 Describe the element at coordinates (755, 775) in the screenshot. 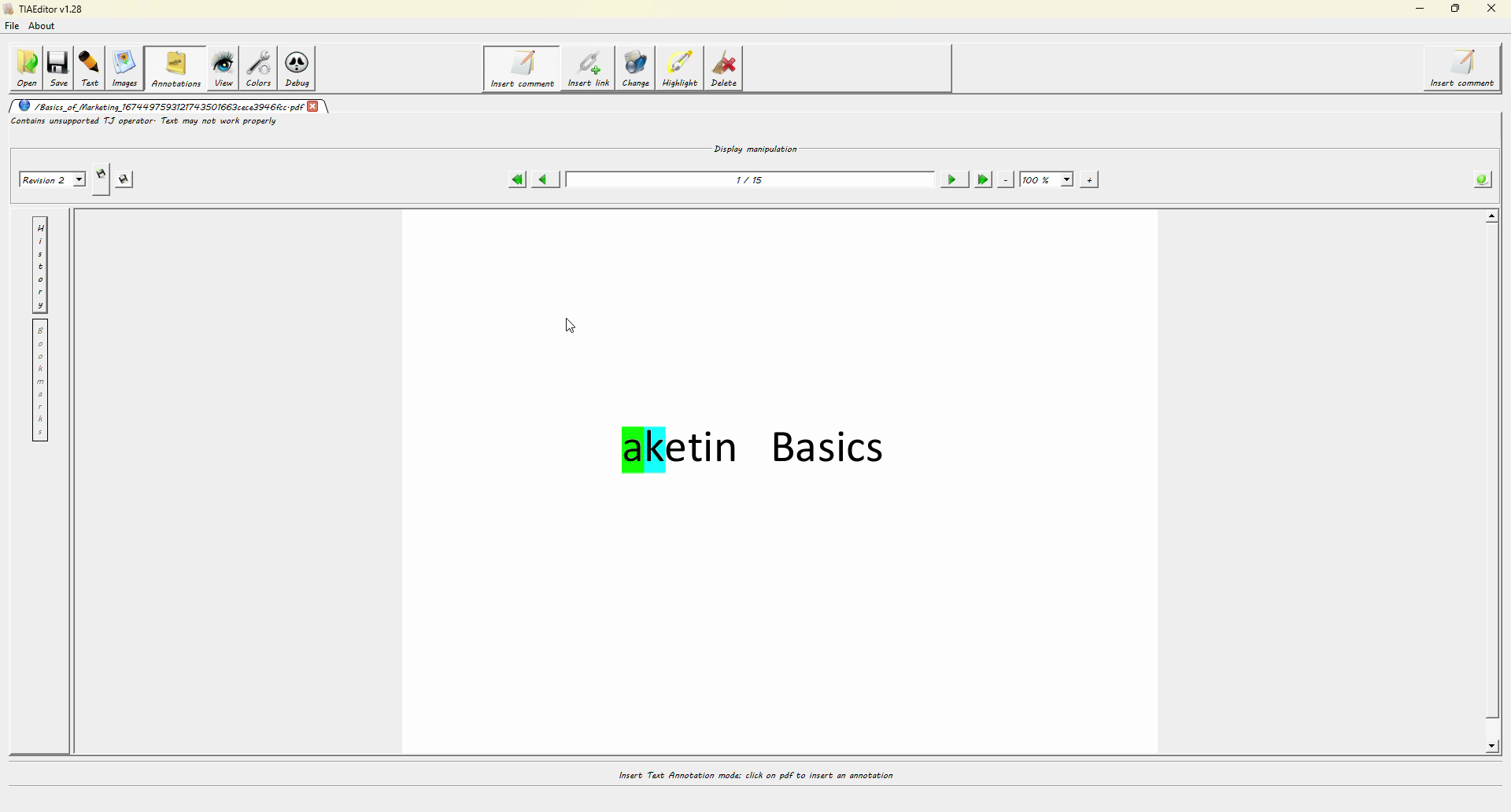

I see `Insert Text Annotation mode: click on pdf to insert an annotation` at that location.